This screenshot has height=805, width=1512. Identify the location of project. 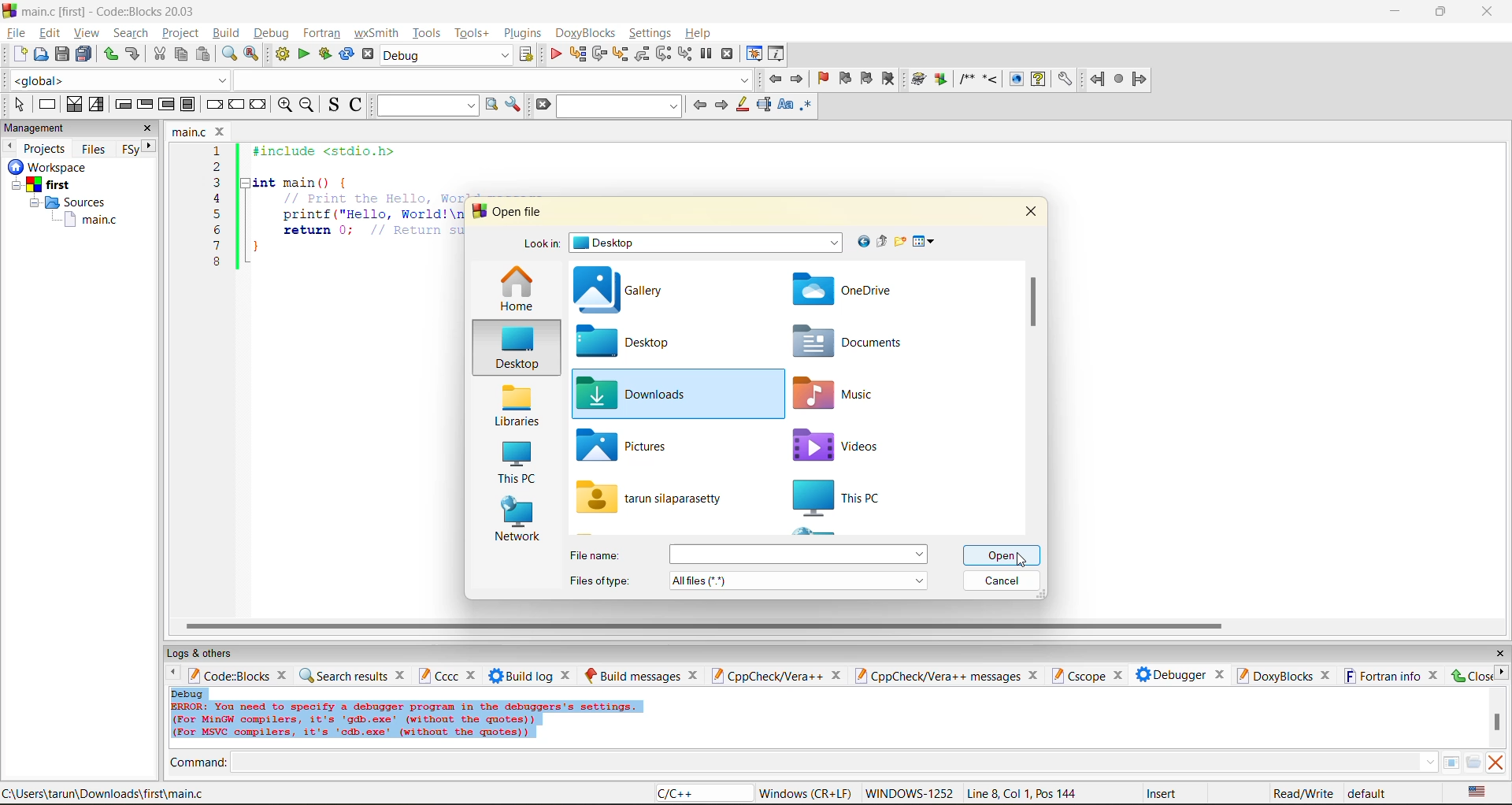
(180, 32).